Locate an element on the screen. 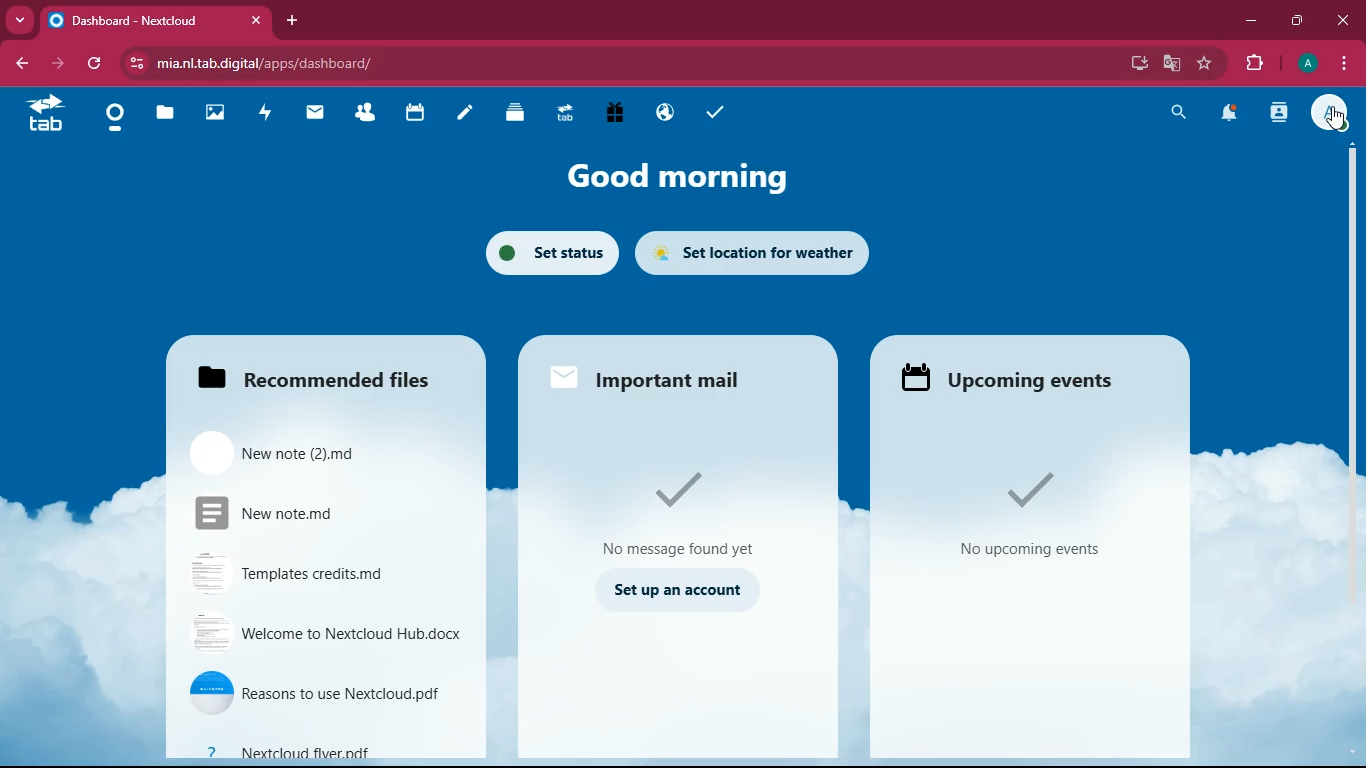 The height and width of the screenshot is (768, 1366). pfoile is located at coordinates (1306, 63).